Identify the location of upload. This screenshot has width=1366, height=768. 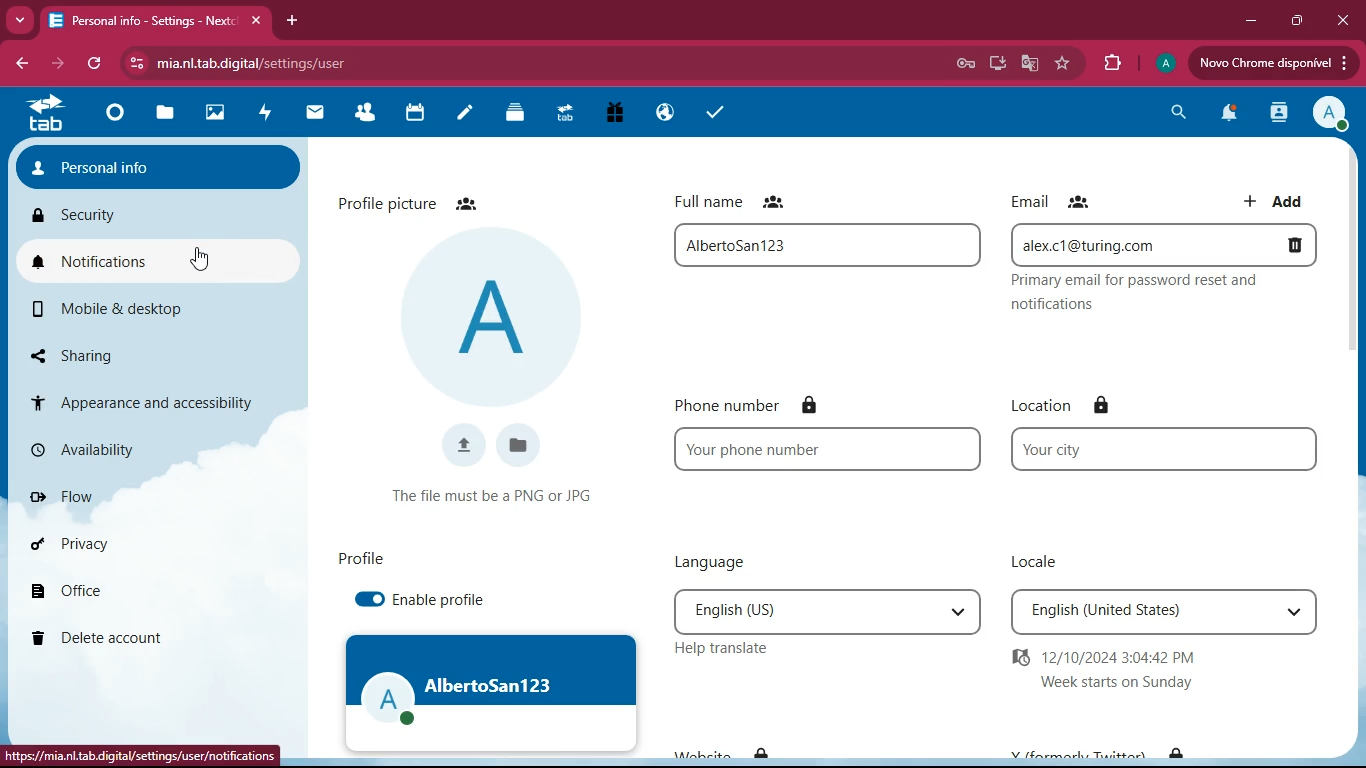
(458, 445).